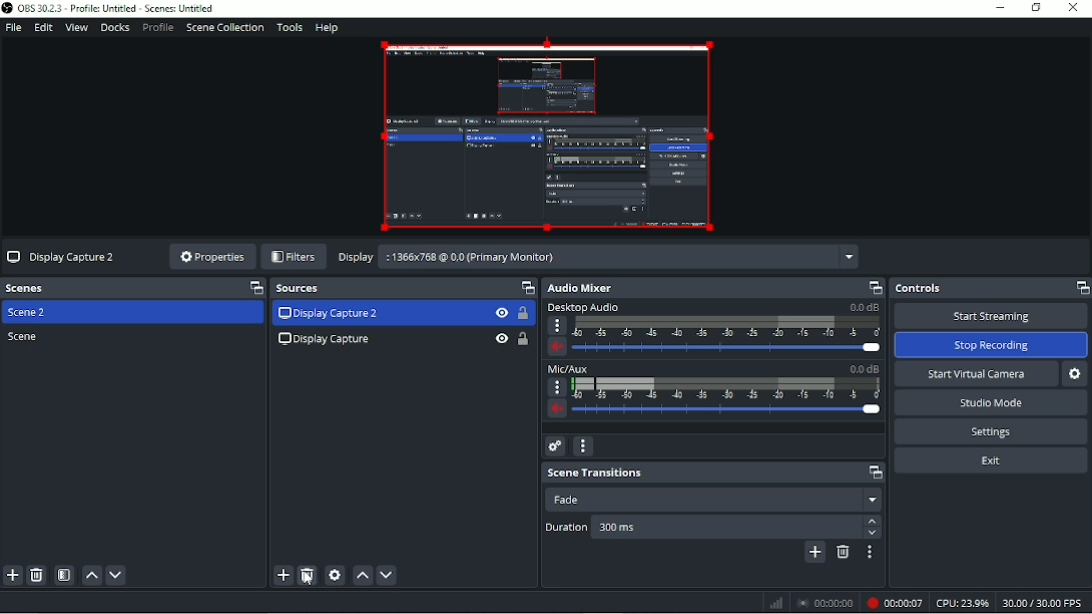 The width and height of the screenshot is (1092, 614). I want to click on Scene, so click(24, 337).